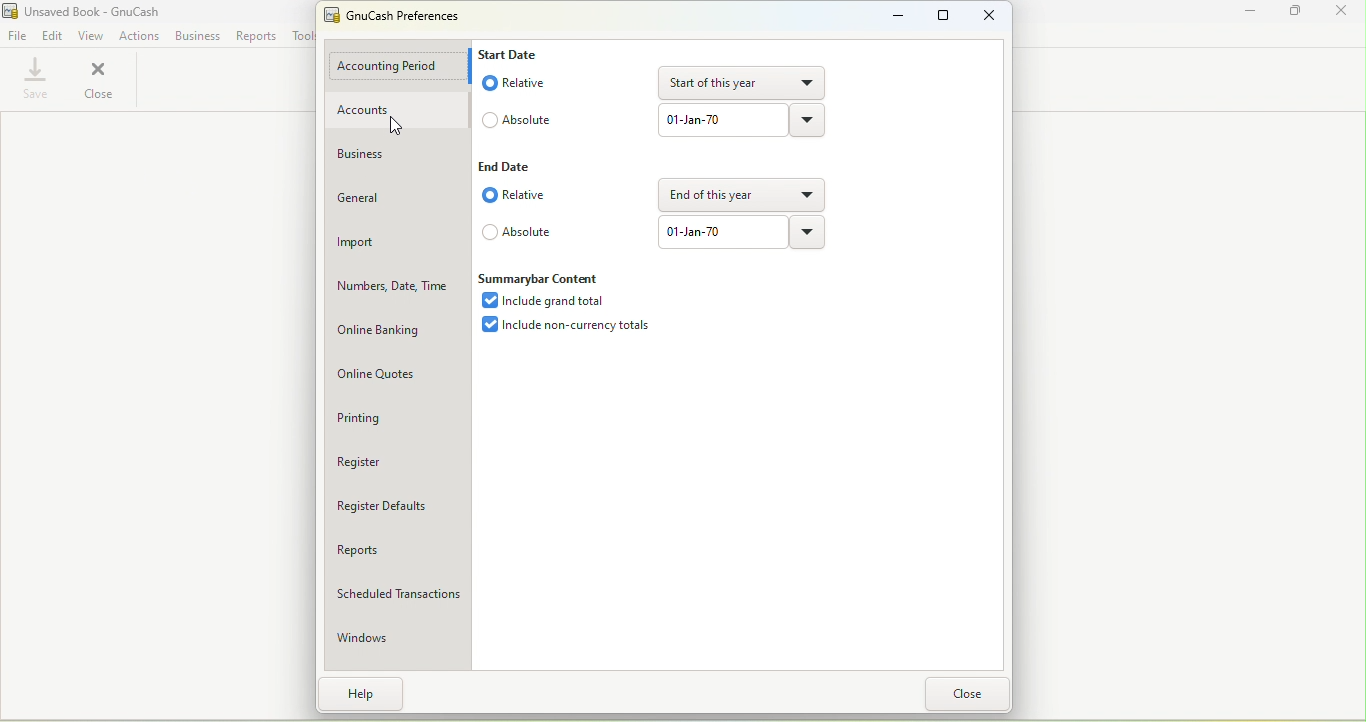 This screenshot has height=722, width=1366. I want to click on Absolute, so click(516, 119).